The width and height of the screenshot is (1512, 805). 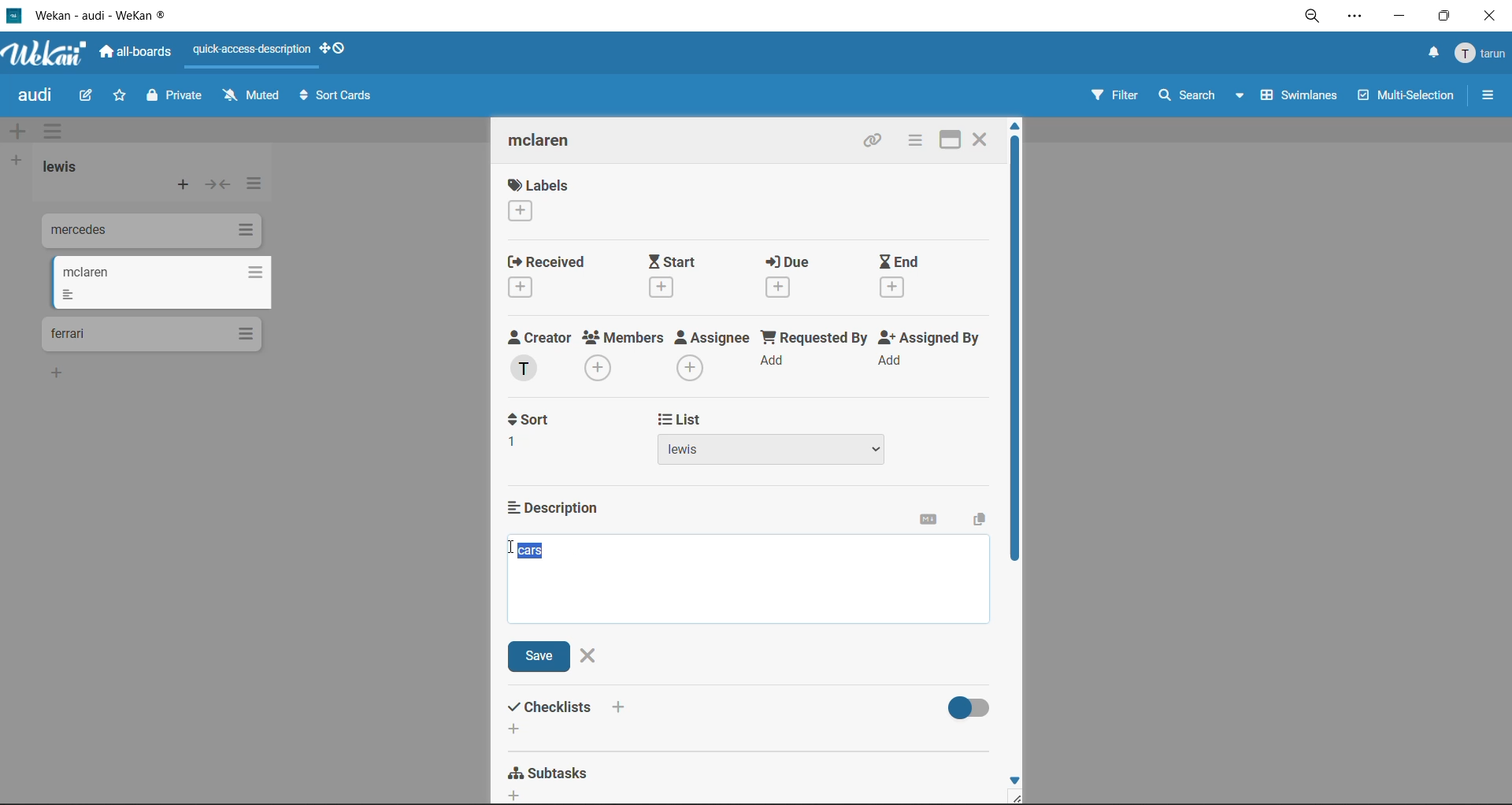 I want to click on vertical scroll bar, so click(x=1015, y=353).